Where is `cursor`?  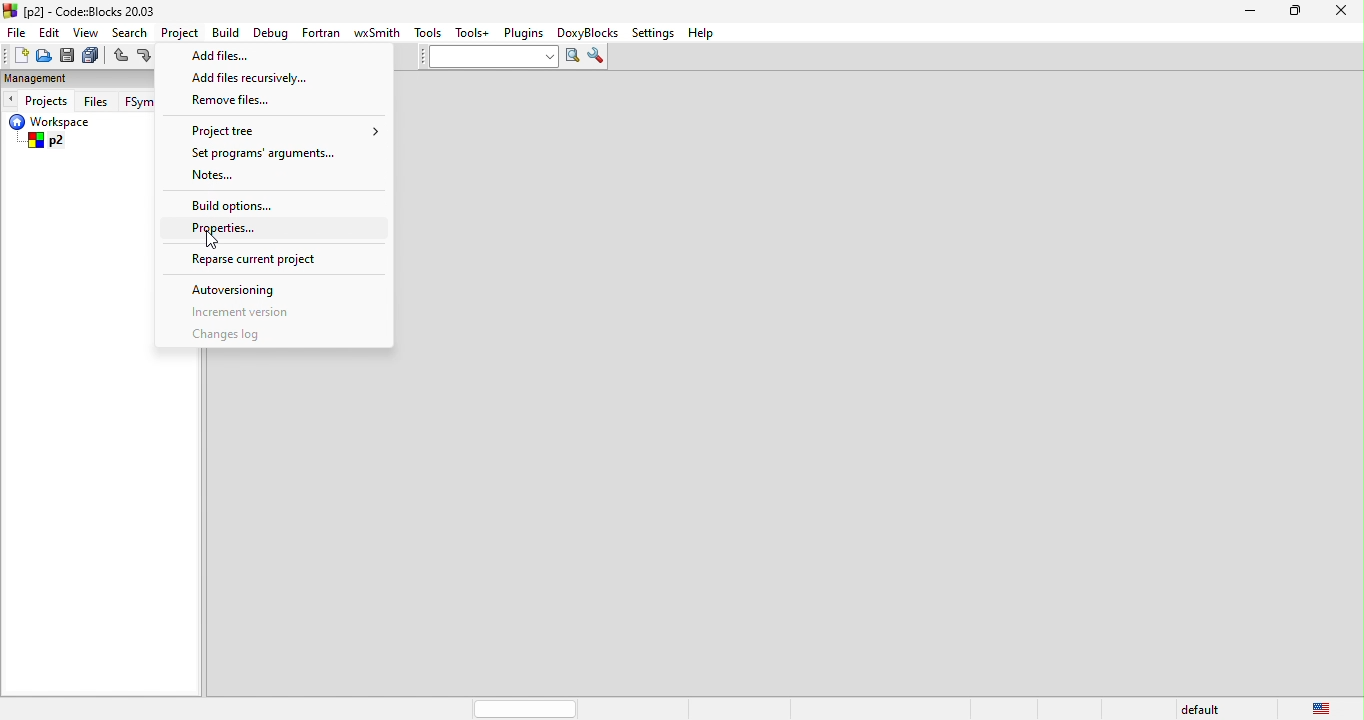 cursor is located at coordinates (220, 238).